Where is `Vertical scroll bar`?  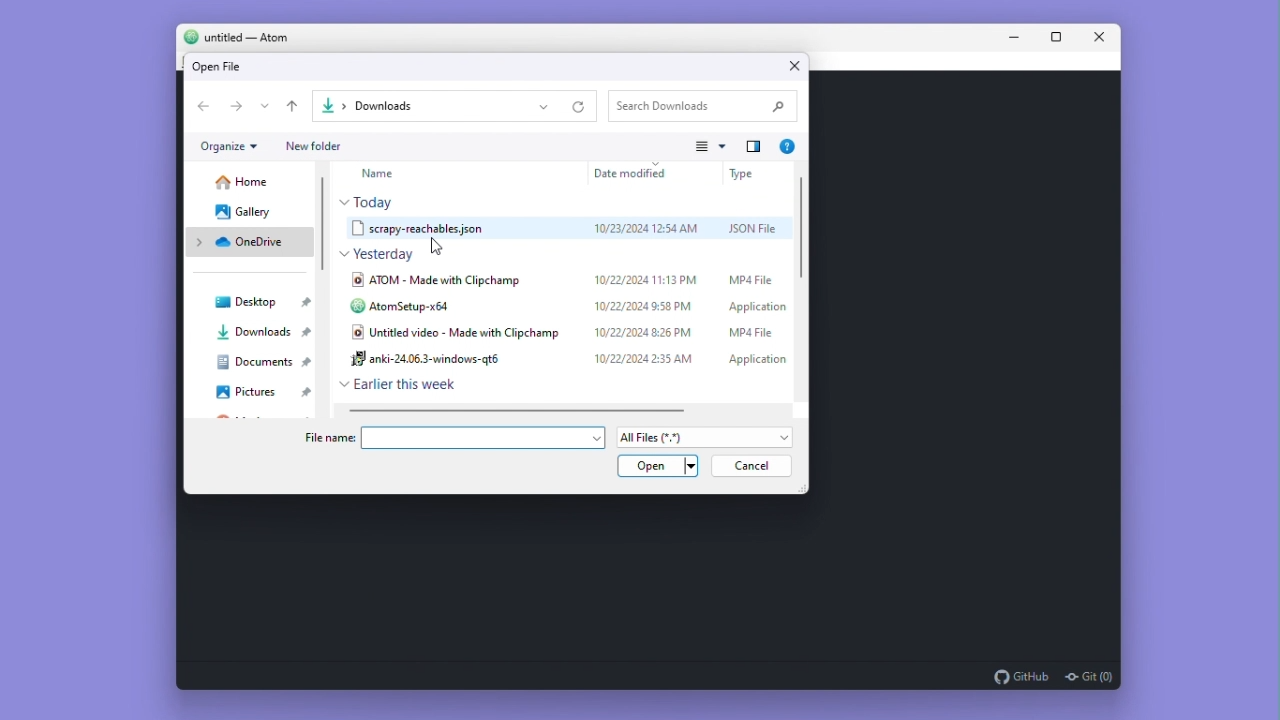 Vertical scroll bar is located at coordinates (319, 222).